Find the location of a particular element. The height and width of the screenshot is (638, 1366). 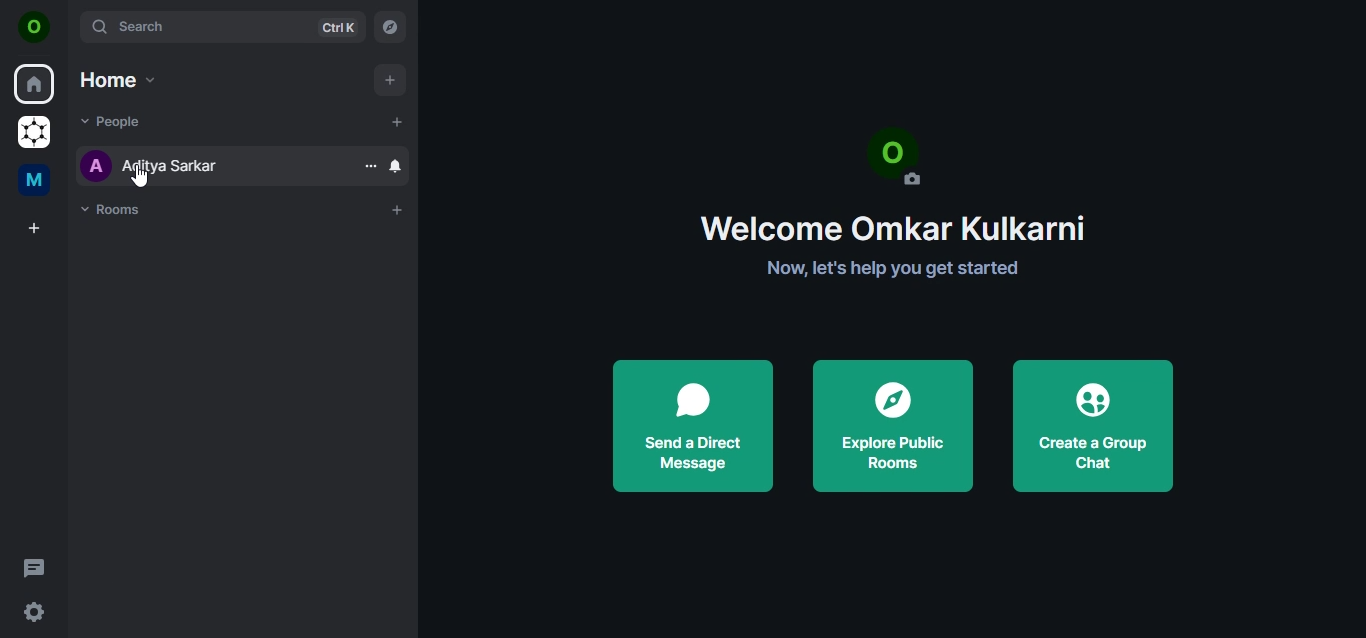

send a direct message is located at coordinates (689, 423).